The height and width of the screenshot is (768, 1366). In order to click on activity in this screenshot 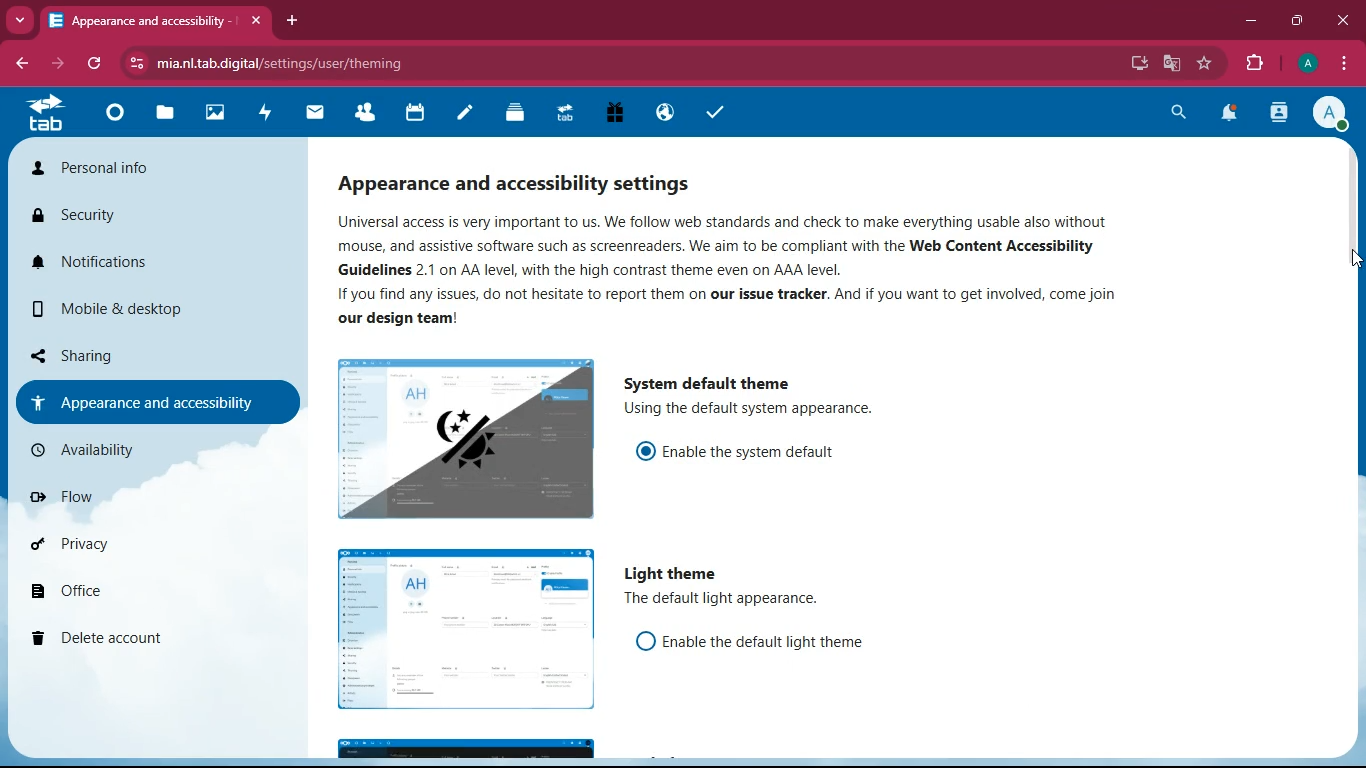, I will do `click(265, 111)`.